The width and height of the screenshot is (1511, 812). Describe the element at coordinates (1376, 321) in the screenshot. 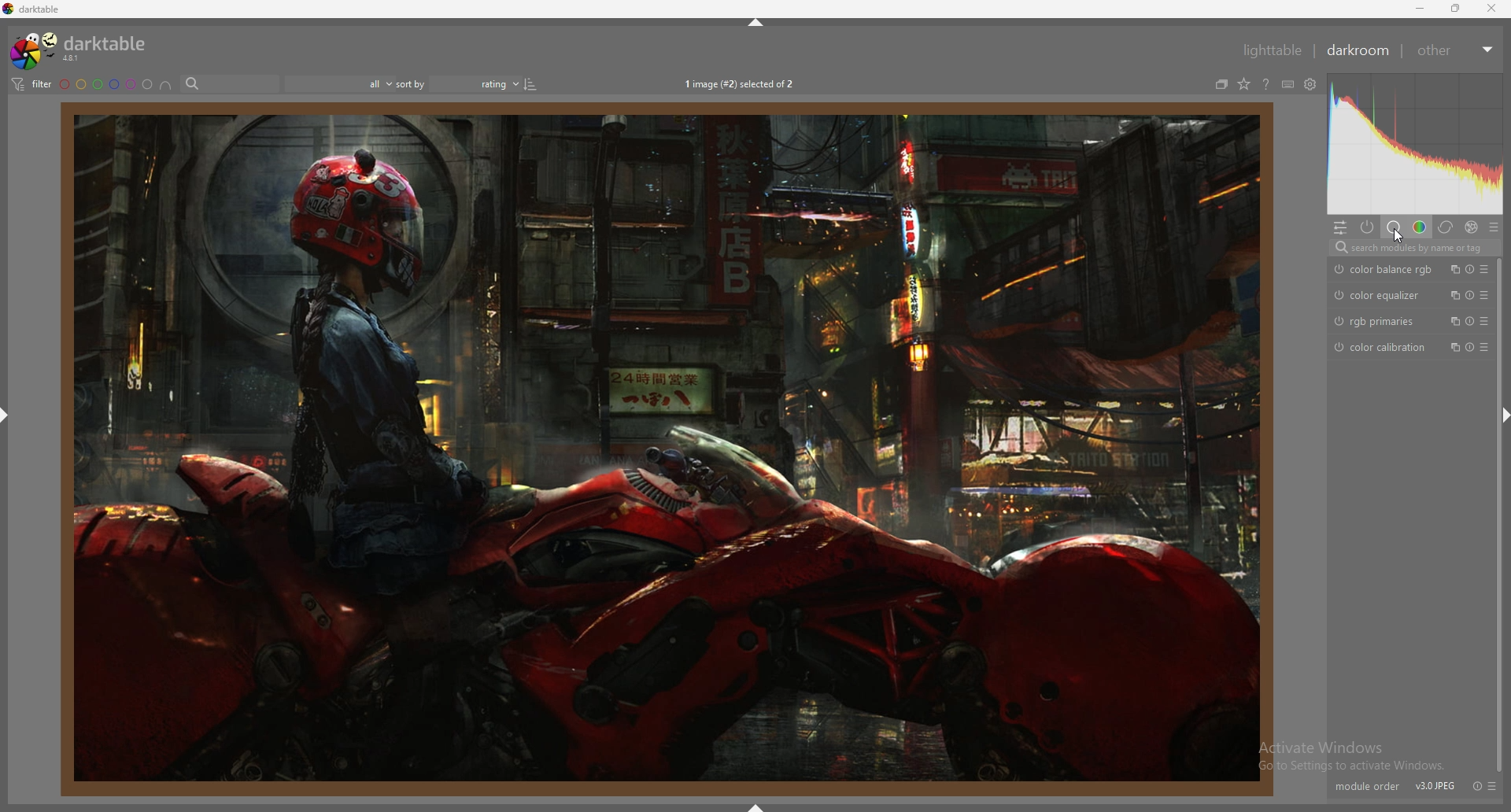

I see `rgb primaries` at that location.